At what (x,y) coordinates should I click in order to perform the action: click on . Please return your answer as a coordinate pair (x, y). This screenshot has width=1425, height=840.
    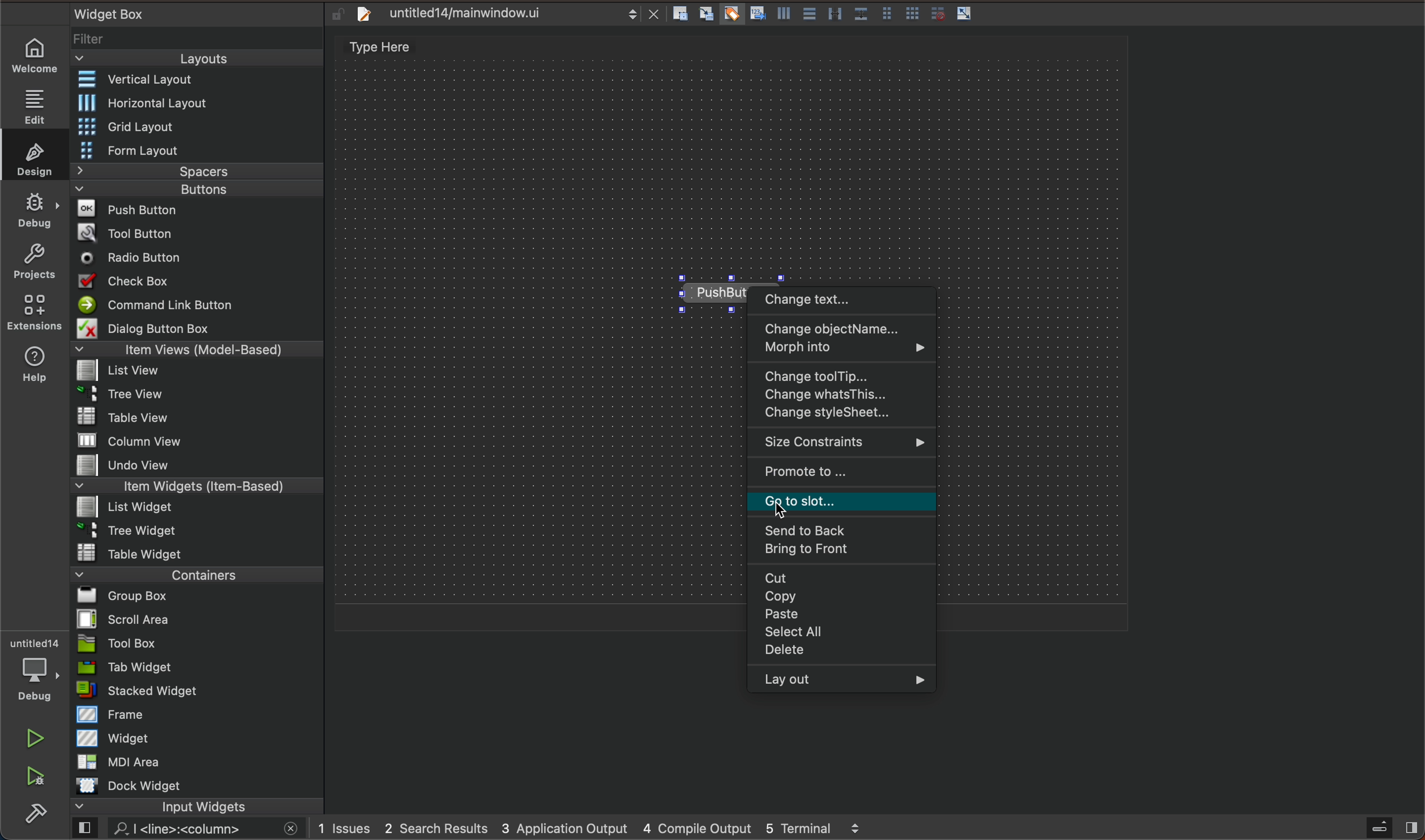
    Looking at the image, I should click on (836, 13).